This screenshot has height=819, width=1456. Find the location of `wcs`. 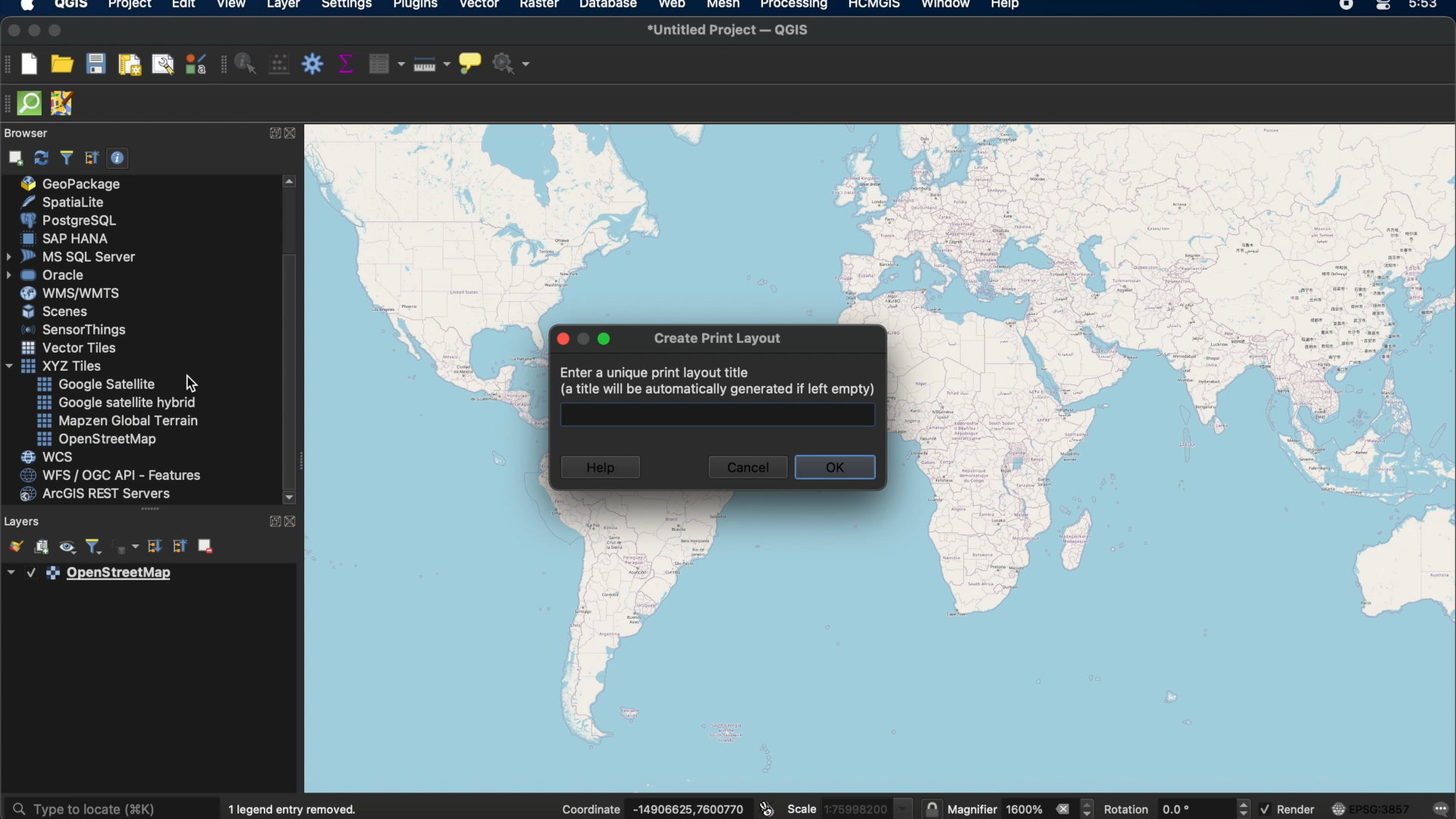

wcs is located at coordinates (76, 457).